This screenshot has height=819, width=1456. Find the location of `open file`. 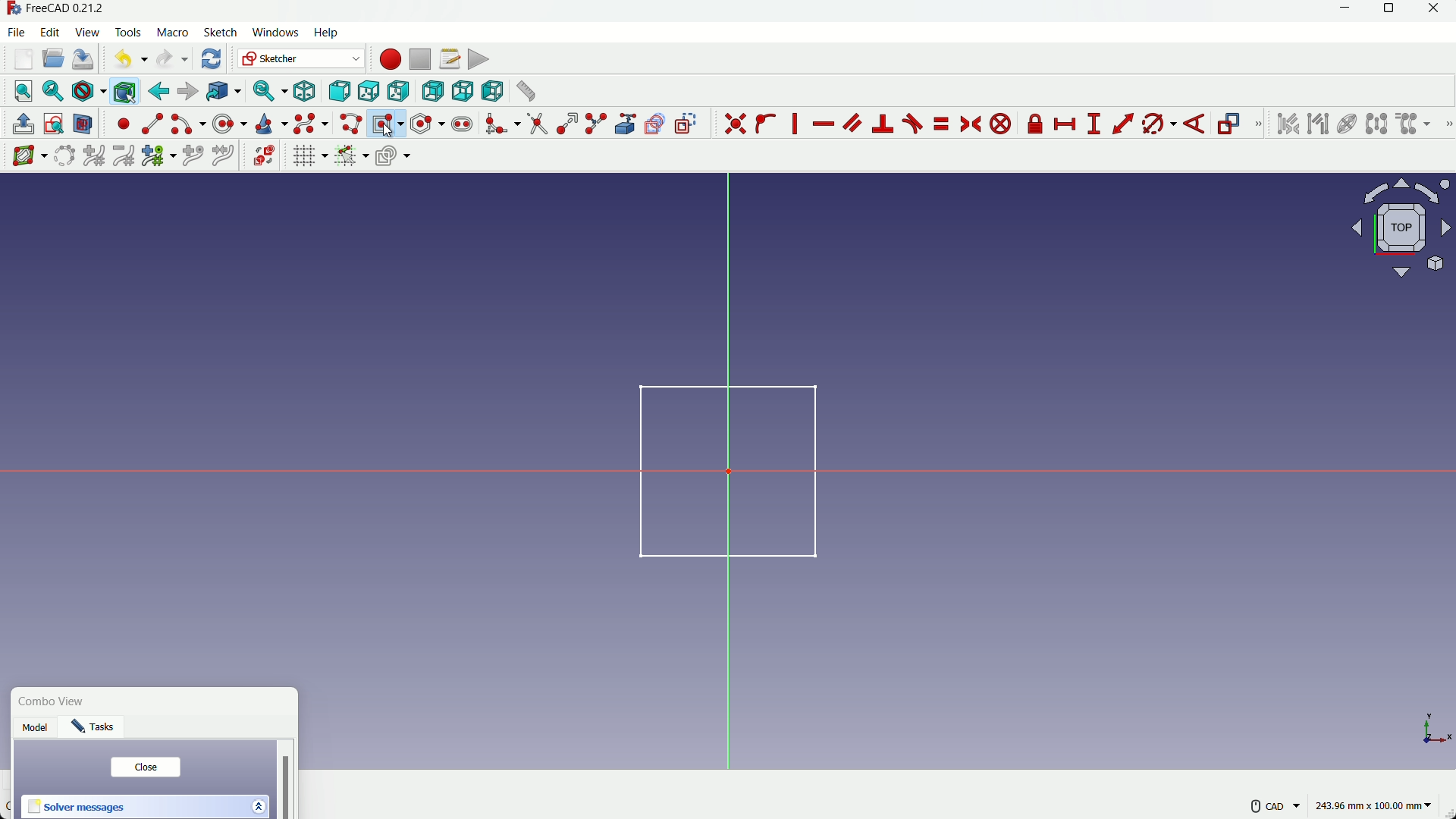

open file is located at coordinates (51, 60).